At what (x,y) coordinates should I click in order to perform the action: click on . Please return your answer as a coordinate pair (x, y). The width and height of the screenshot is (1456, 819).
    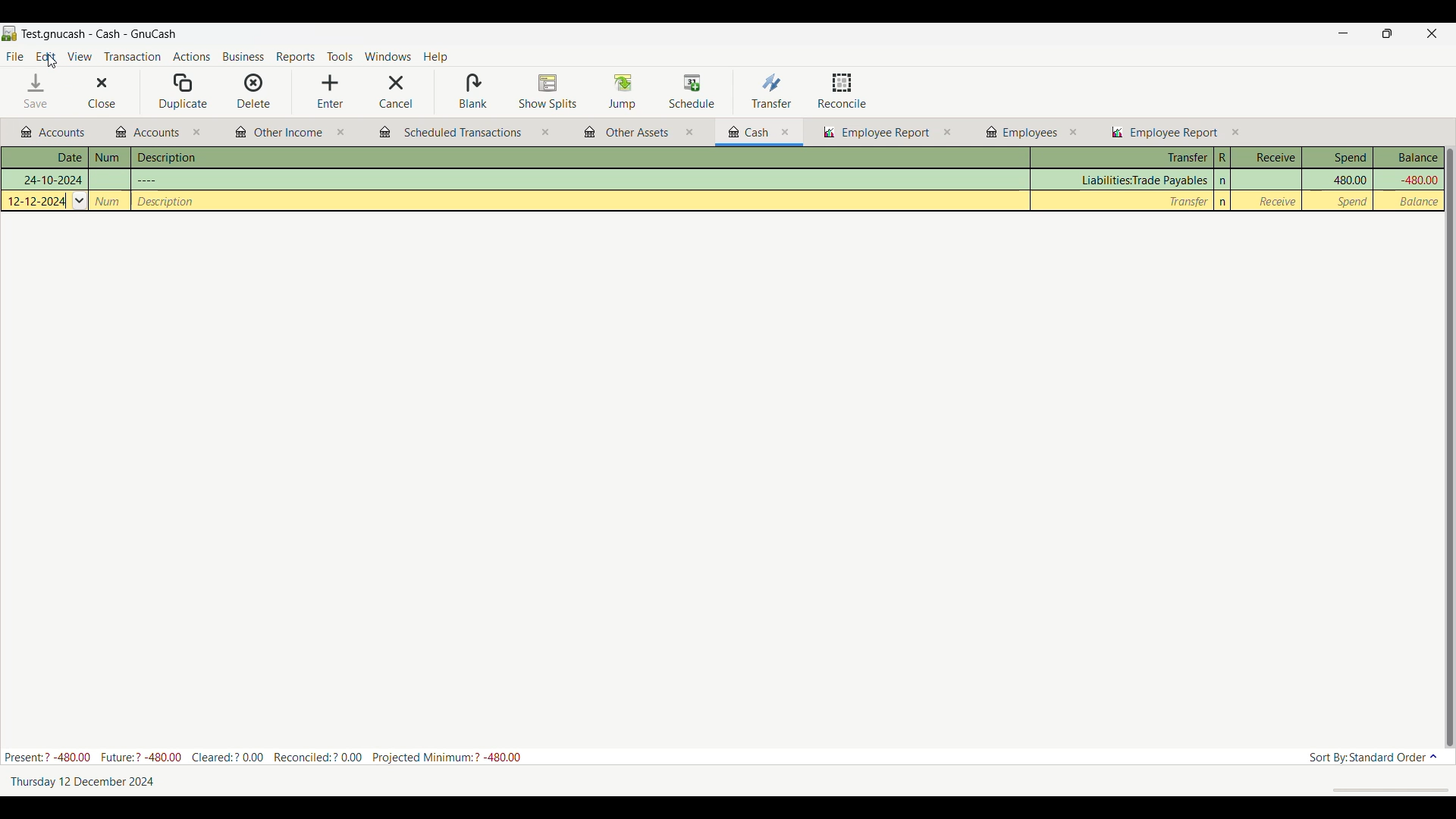
    Looking at the image, I should click on (52, 180).